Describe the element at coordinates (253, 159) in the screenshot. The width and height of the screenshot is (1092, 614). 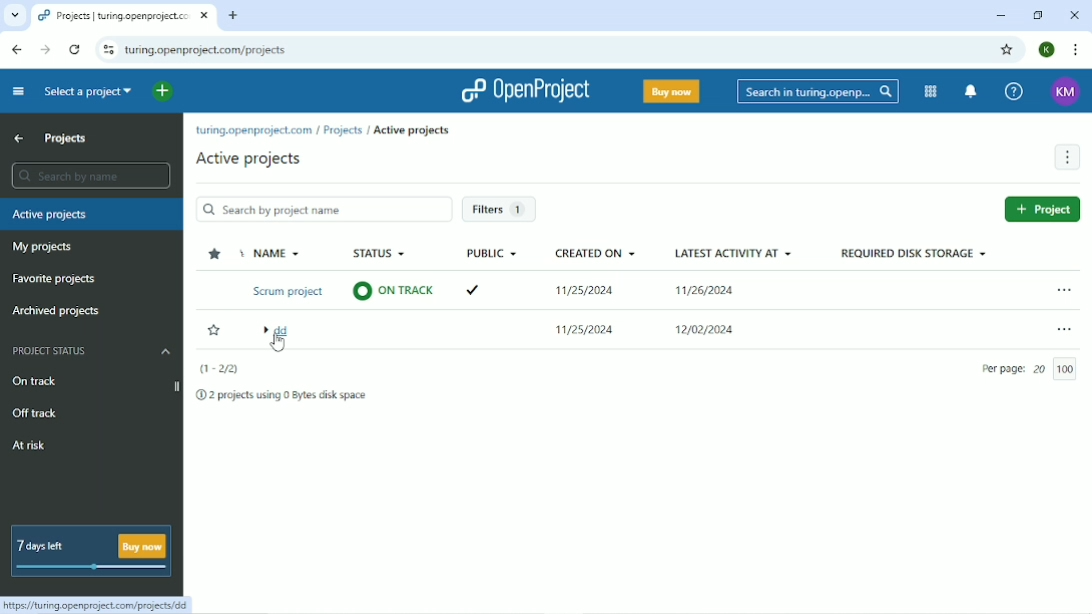
I see `Active projects` at that location.